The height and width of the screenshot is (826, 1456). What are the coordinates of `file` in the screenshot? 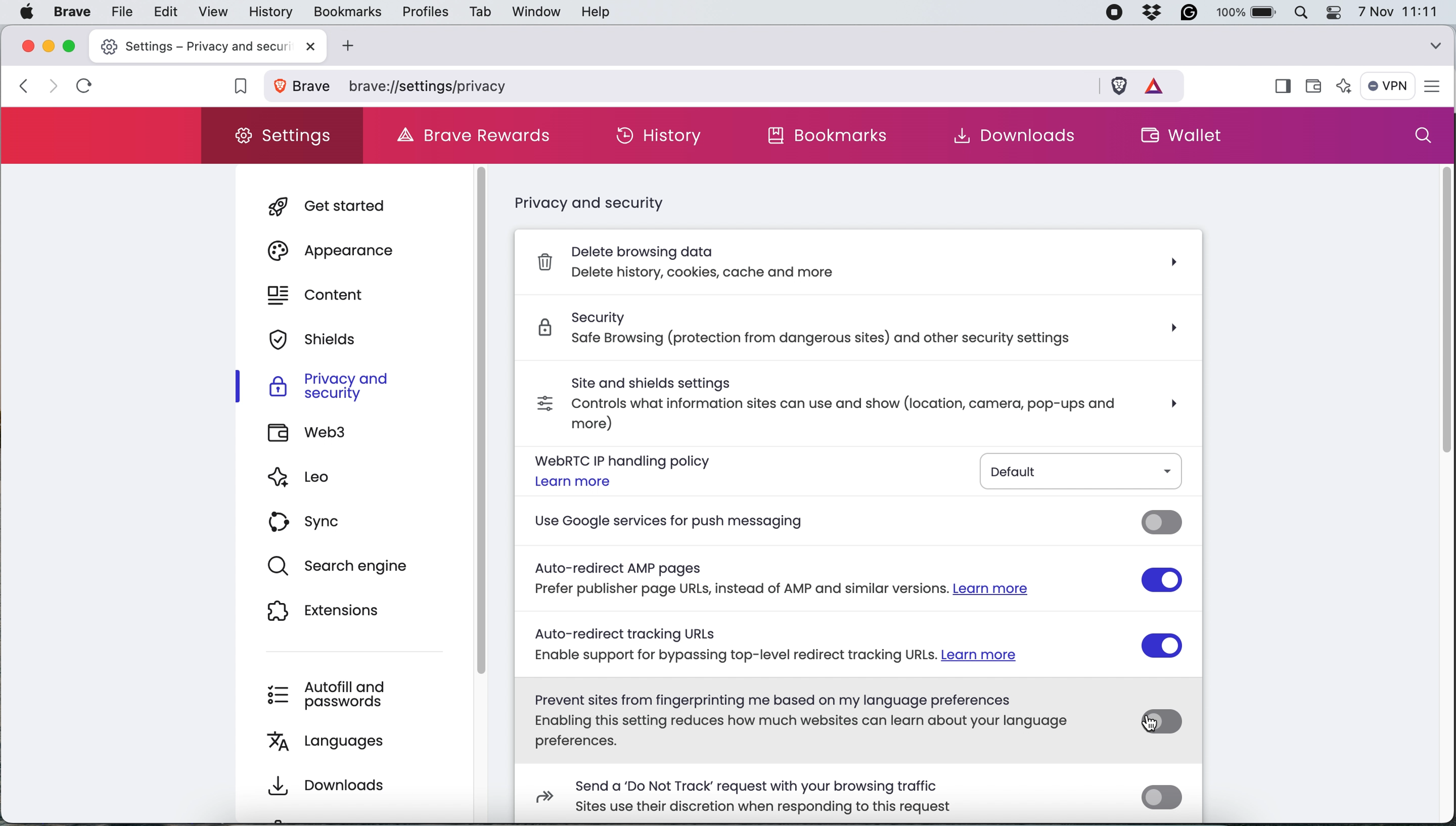 It's located at (119, 12).